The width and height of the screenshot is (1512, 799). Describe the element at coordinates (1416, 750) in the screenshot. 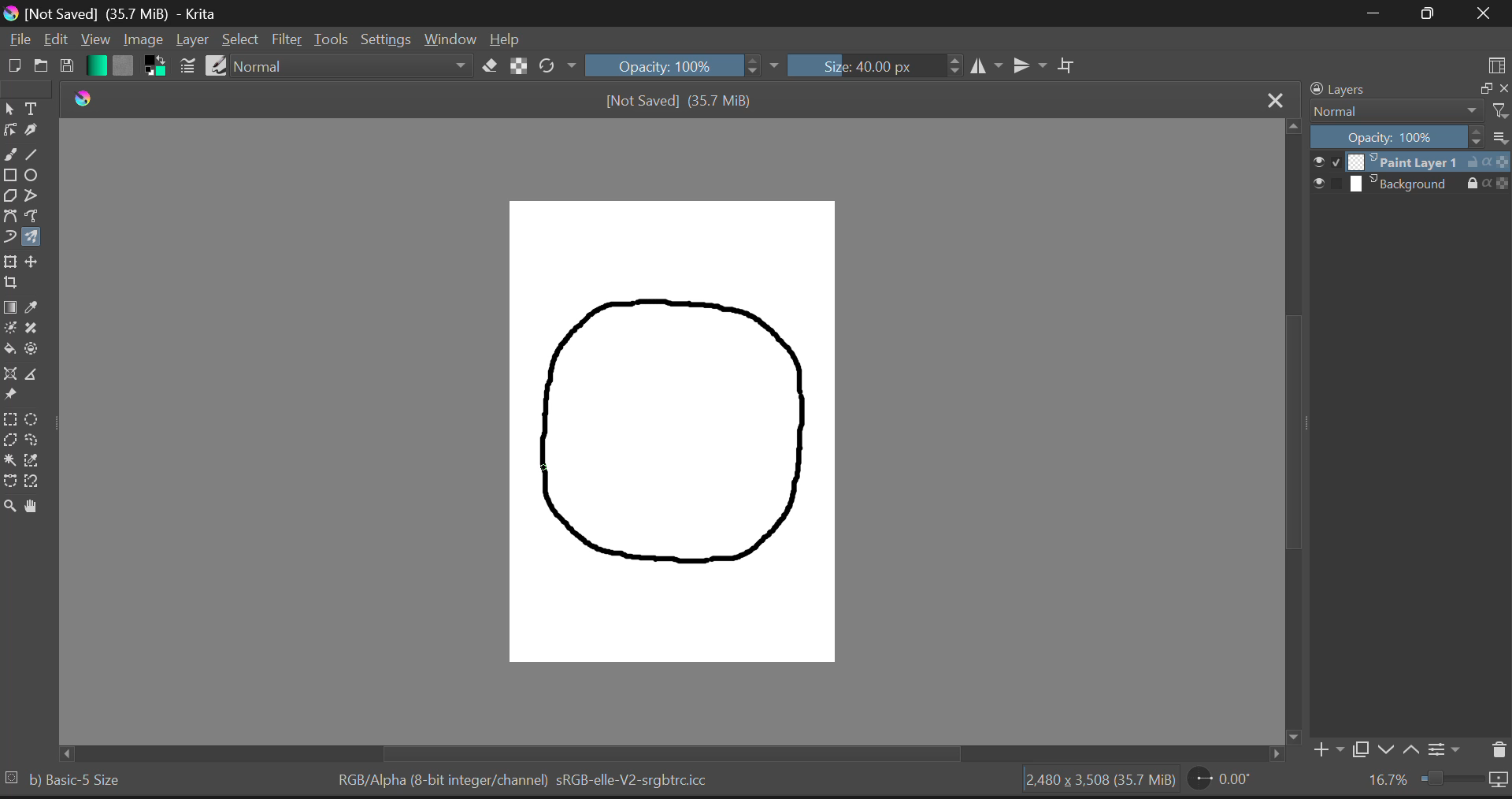

I see `Move Layer Up` at that location.